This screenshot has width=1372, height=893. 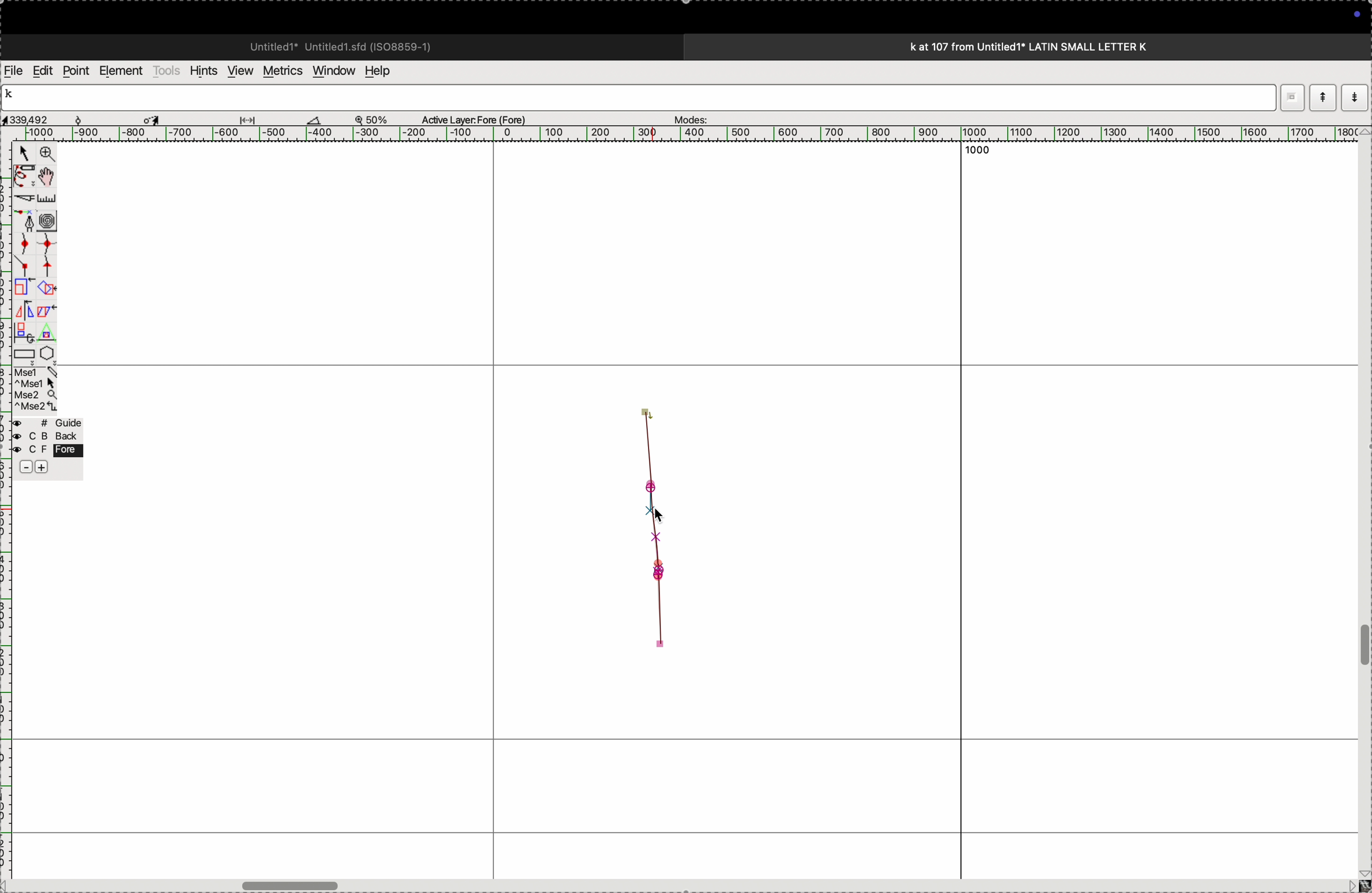 I want to click on mse, so click(x=36, y=390).